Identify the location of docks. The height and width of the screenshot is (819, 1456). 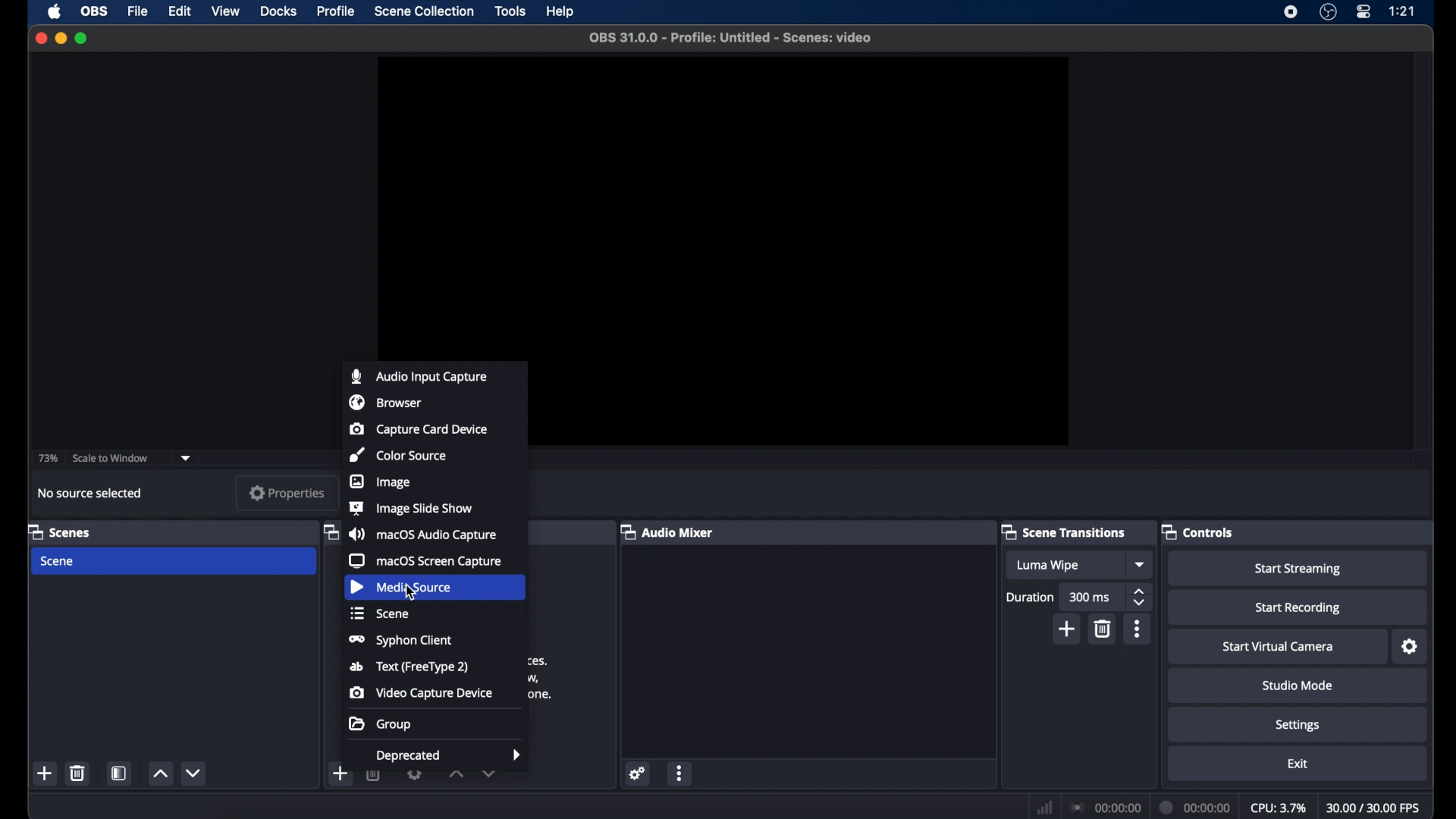
(278, 11).